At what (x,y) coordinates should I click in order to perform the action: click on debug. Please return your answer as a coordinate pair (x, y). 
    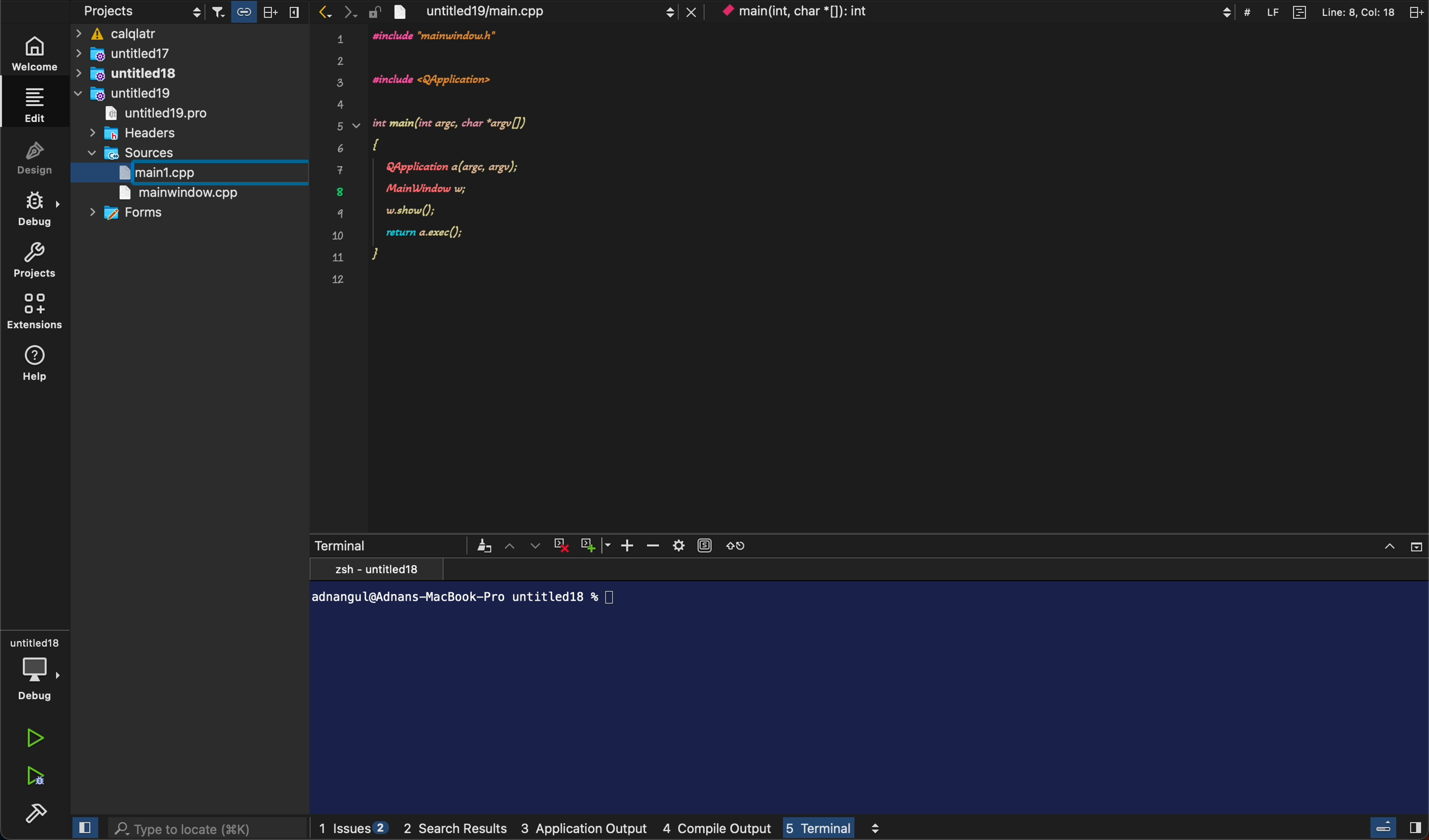
    Looking at the image, I should click on (36, 666).